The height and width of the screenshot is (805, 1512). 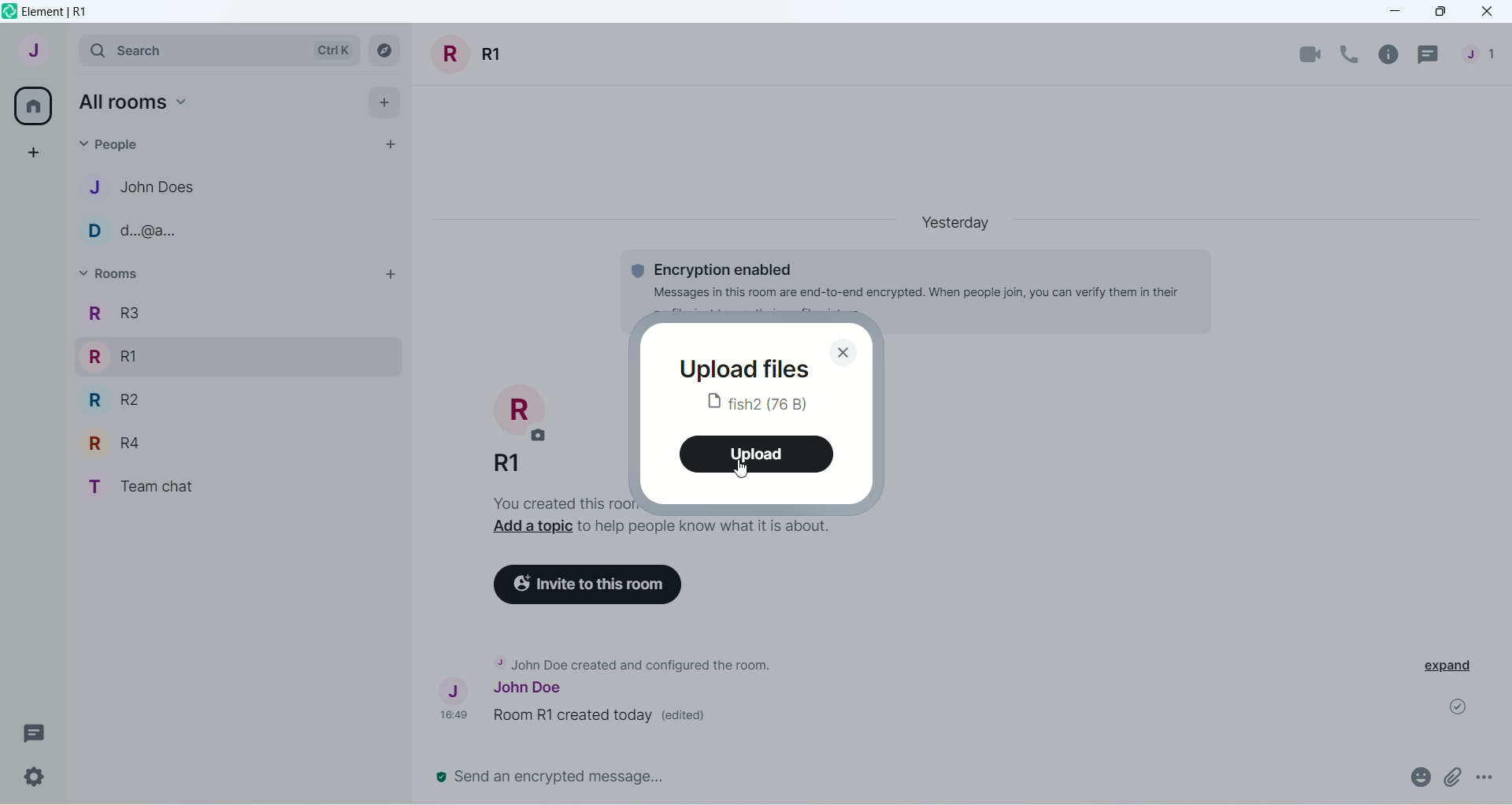 I want to click on time, so click(x=458, y=714).